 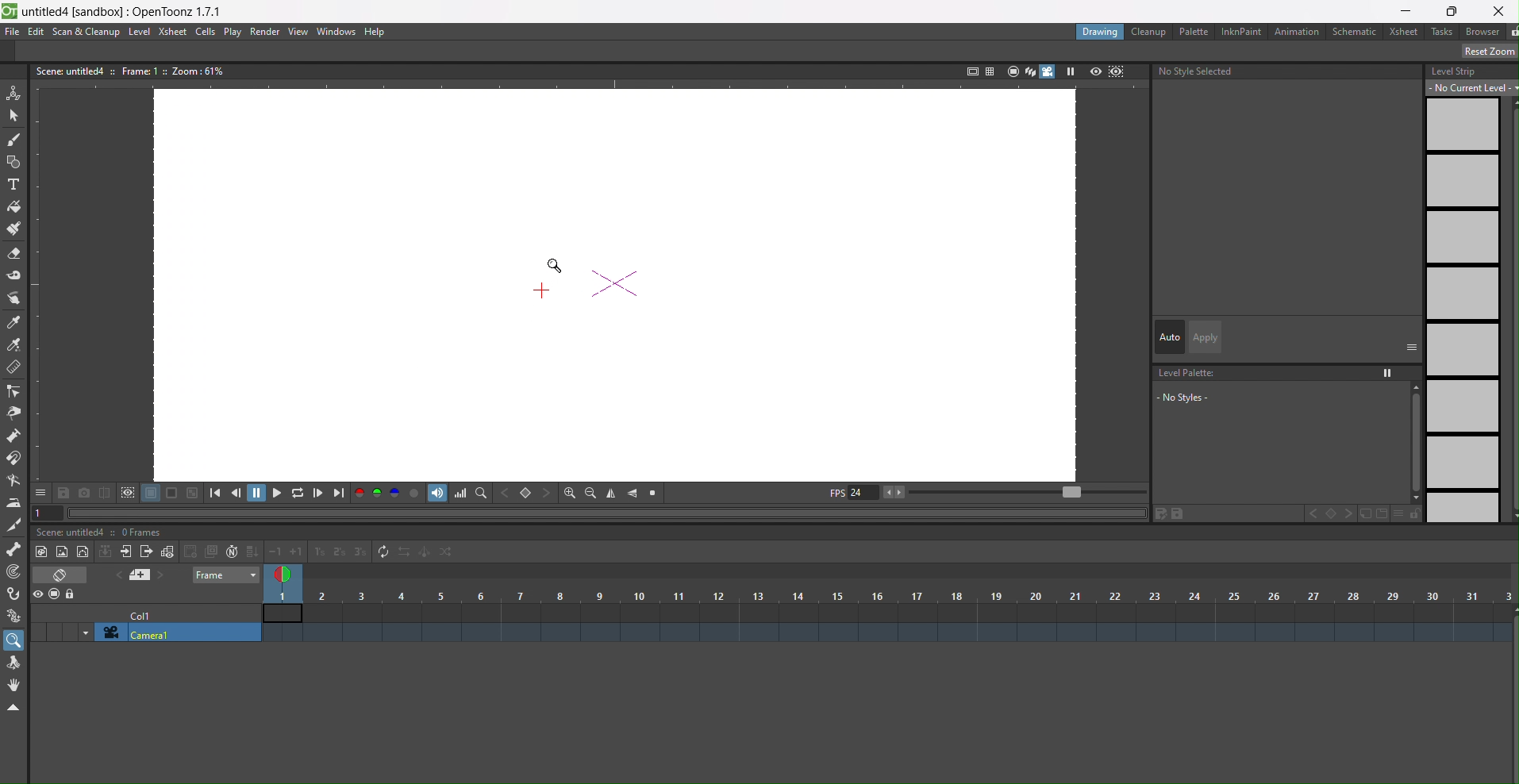 What do you see at coordinates (337, 33) in the screenshot?
I see `windows` at bounding box center [337, 33].